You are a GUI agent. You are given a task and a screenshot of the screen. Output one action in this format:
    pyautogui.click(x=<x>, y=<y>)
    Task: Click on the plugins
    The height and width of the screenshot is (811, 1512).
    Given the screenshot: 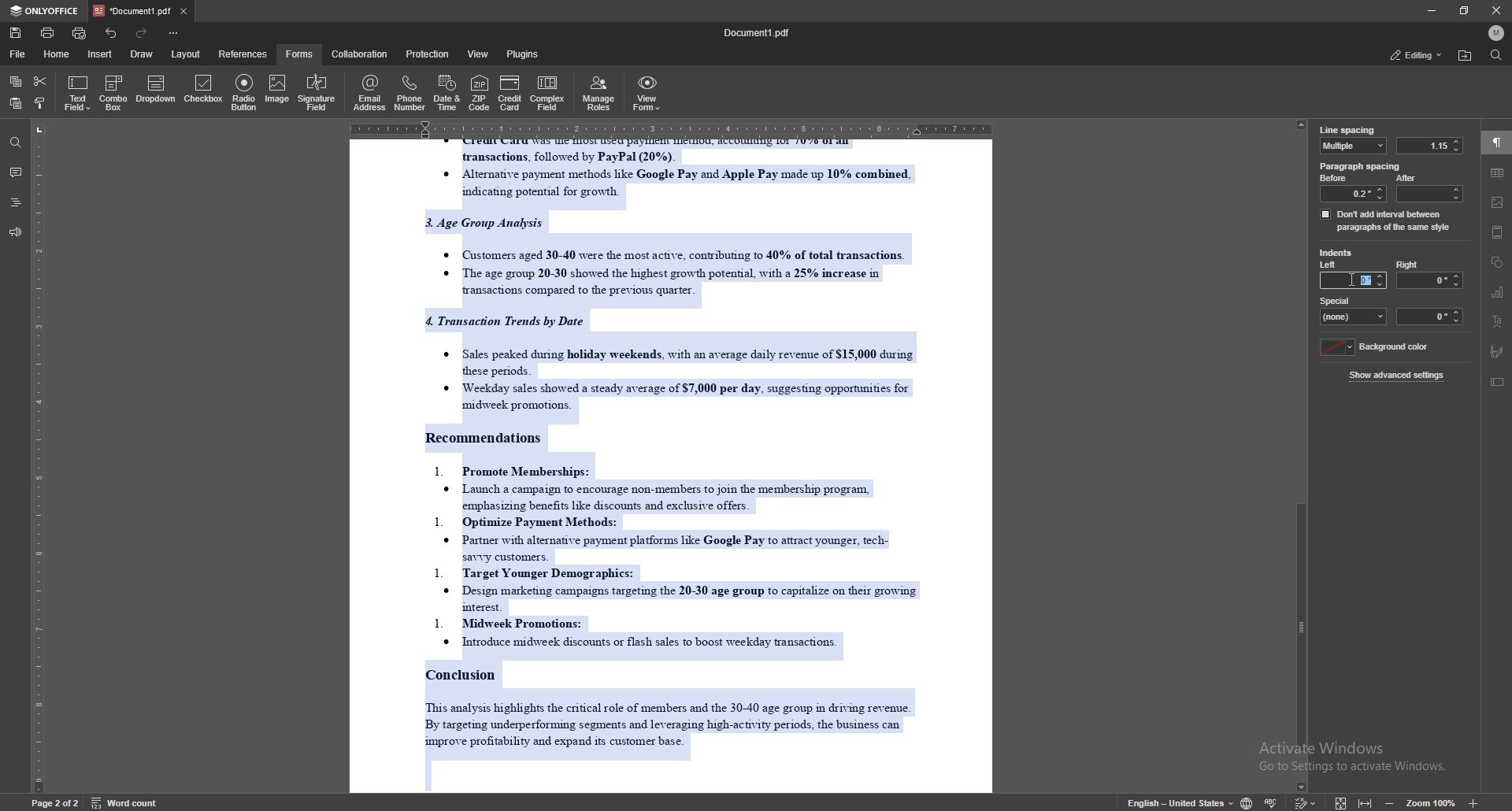 What is the action you would take?
    pyautogui.click(x=524, y=54)
    